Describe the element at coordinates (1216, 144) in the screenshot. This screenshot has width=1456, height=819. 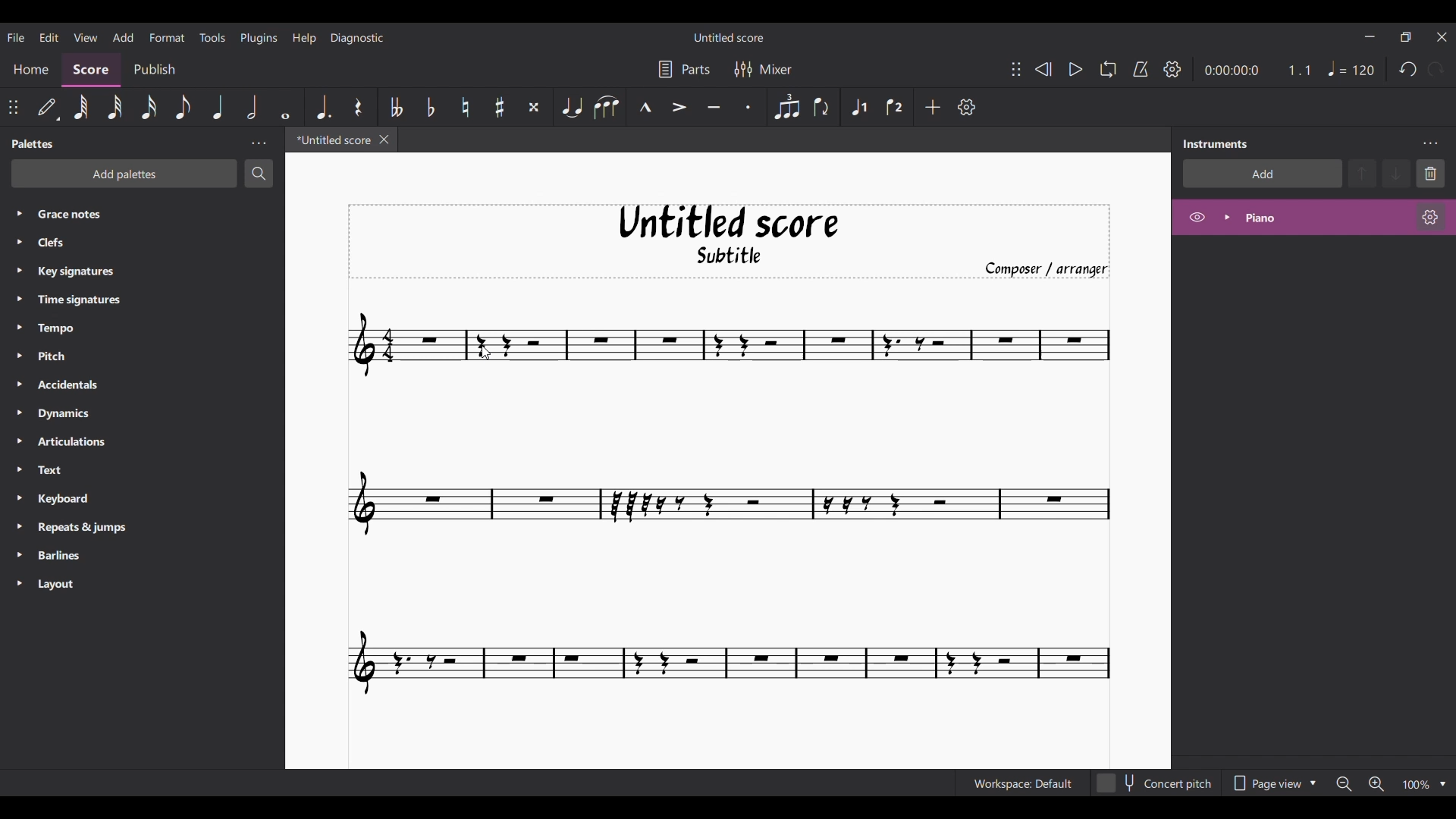
I see `Panel title` at that location.